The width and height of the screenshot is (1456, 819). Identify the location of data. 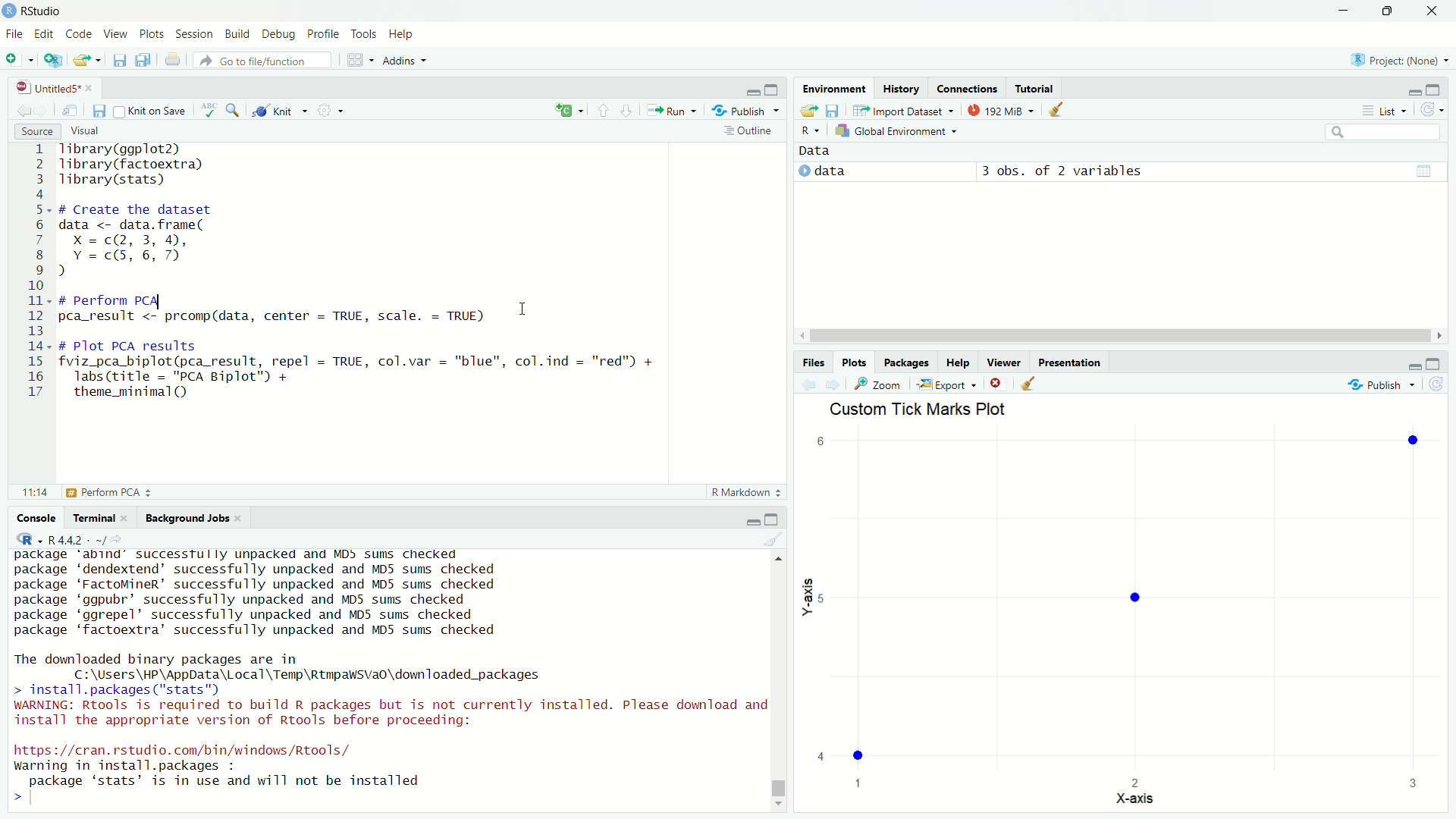
(817, 152).